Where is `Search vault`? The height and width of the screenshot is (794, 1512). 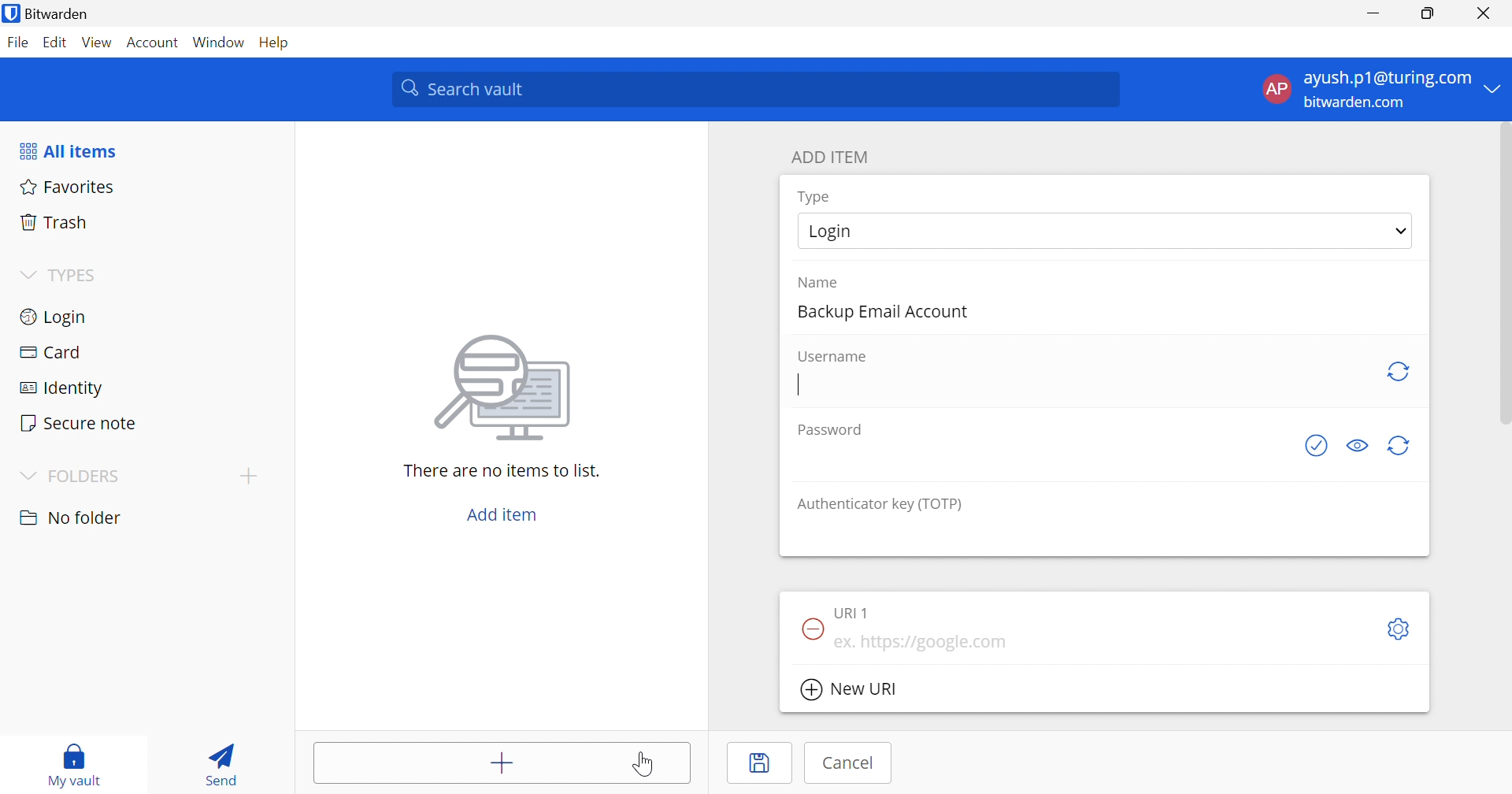
Search vault is located at coordinates (759, 90).